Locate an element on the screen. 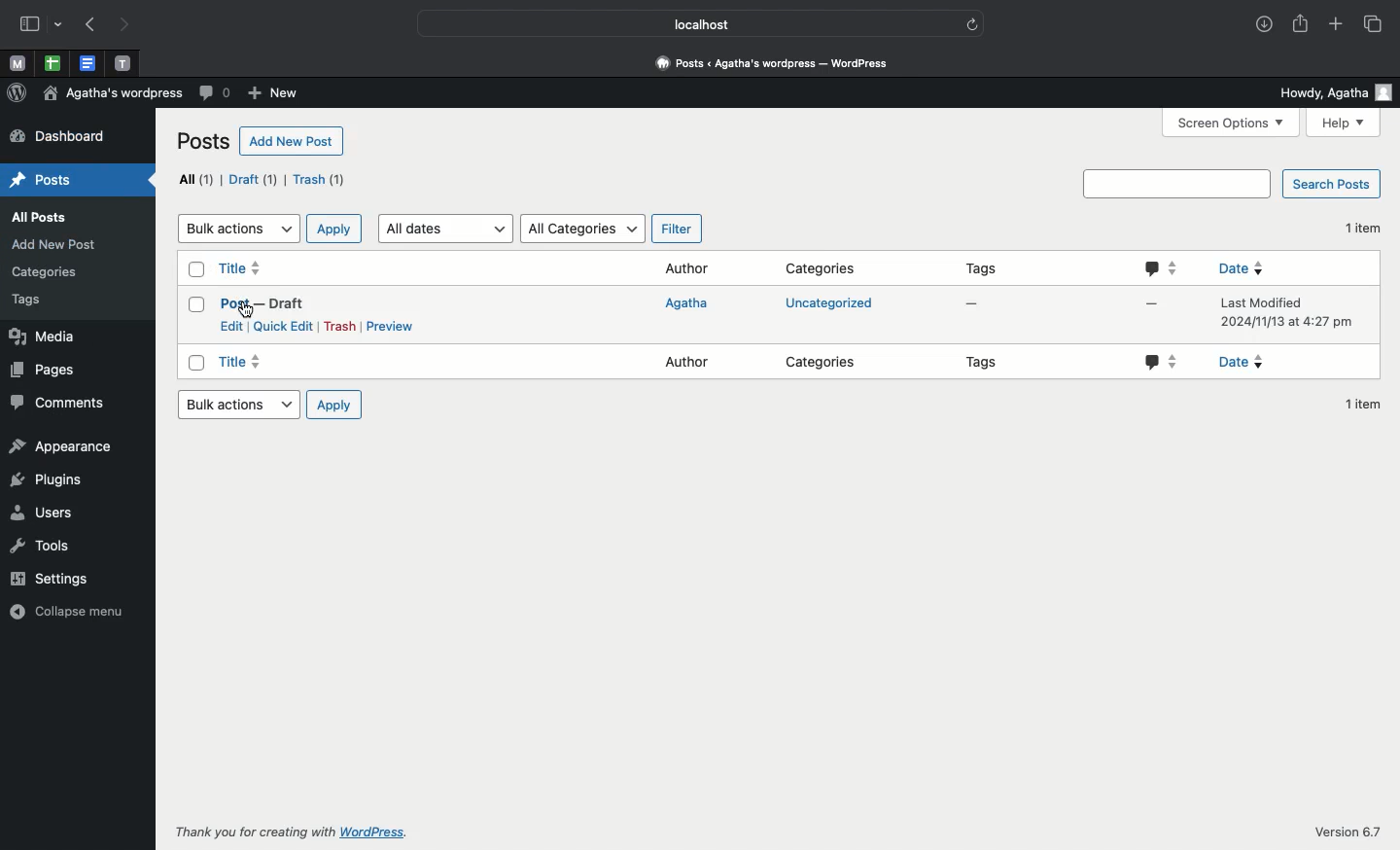 The image size is (1400, 850). Title is located at coordinates (240, 363).